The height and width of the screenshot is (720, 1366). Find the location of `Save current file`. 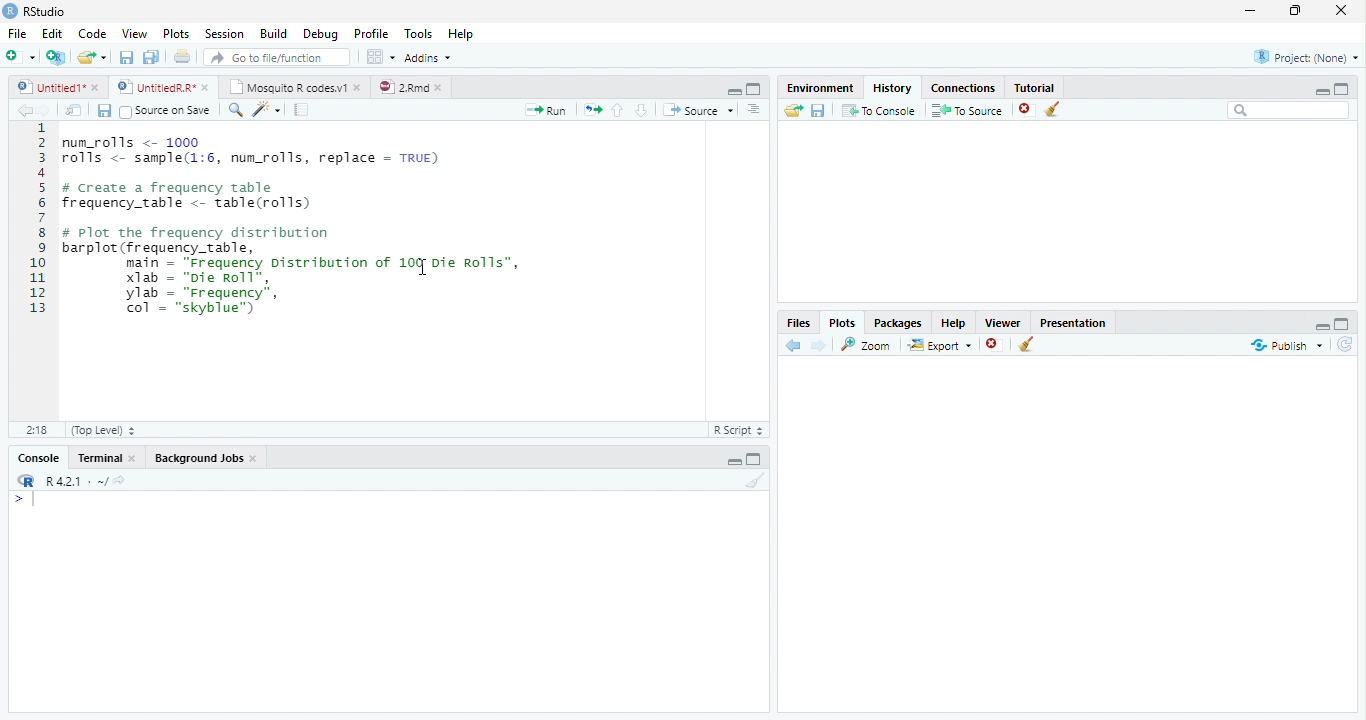

Save current file is located at coordinates (126, 57).